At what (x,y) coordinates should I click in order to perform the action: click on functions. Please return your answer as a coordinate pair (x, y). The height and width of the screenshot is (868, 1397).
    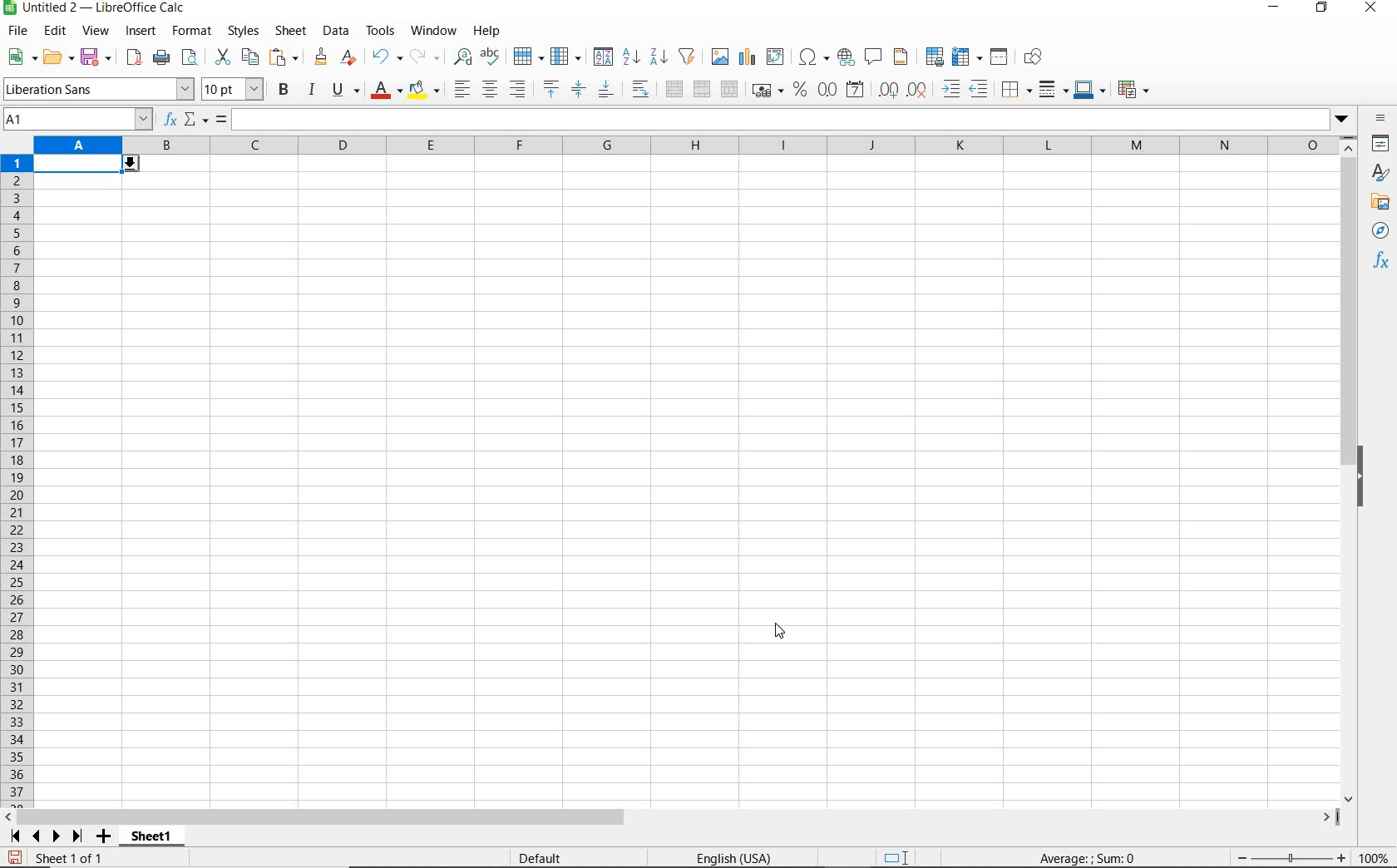
    Looking at the image, I should click on (1384, 262).